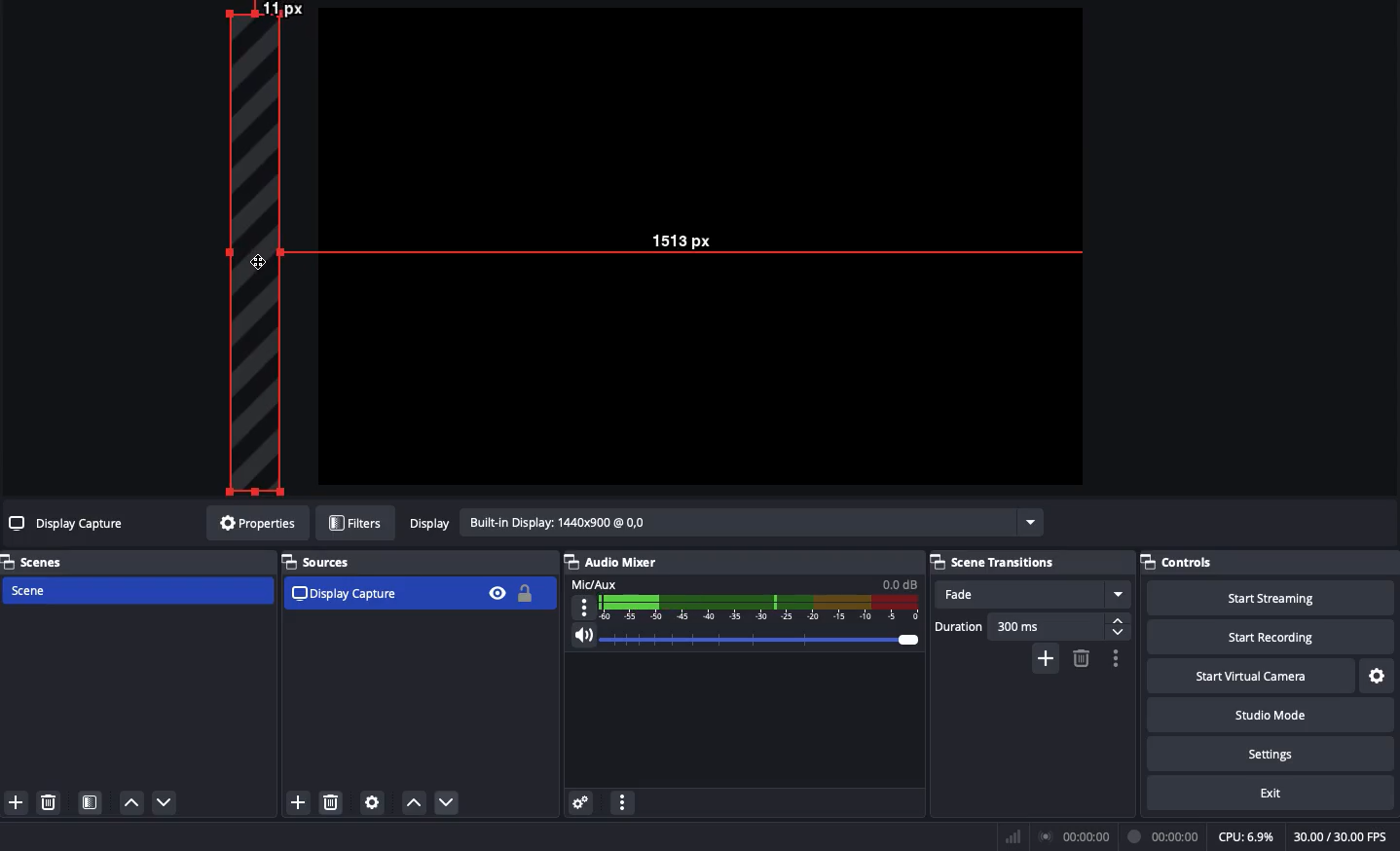 This screenshot has height=851, width=1400. What do you see at coordinates (1269, 713) in the screenshot?
I see `Studio mode` at bounding box center [1269, 713].